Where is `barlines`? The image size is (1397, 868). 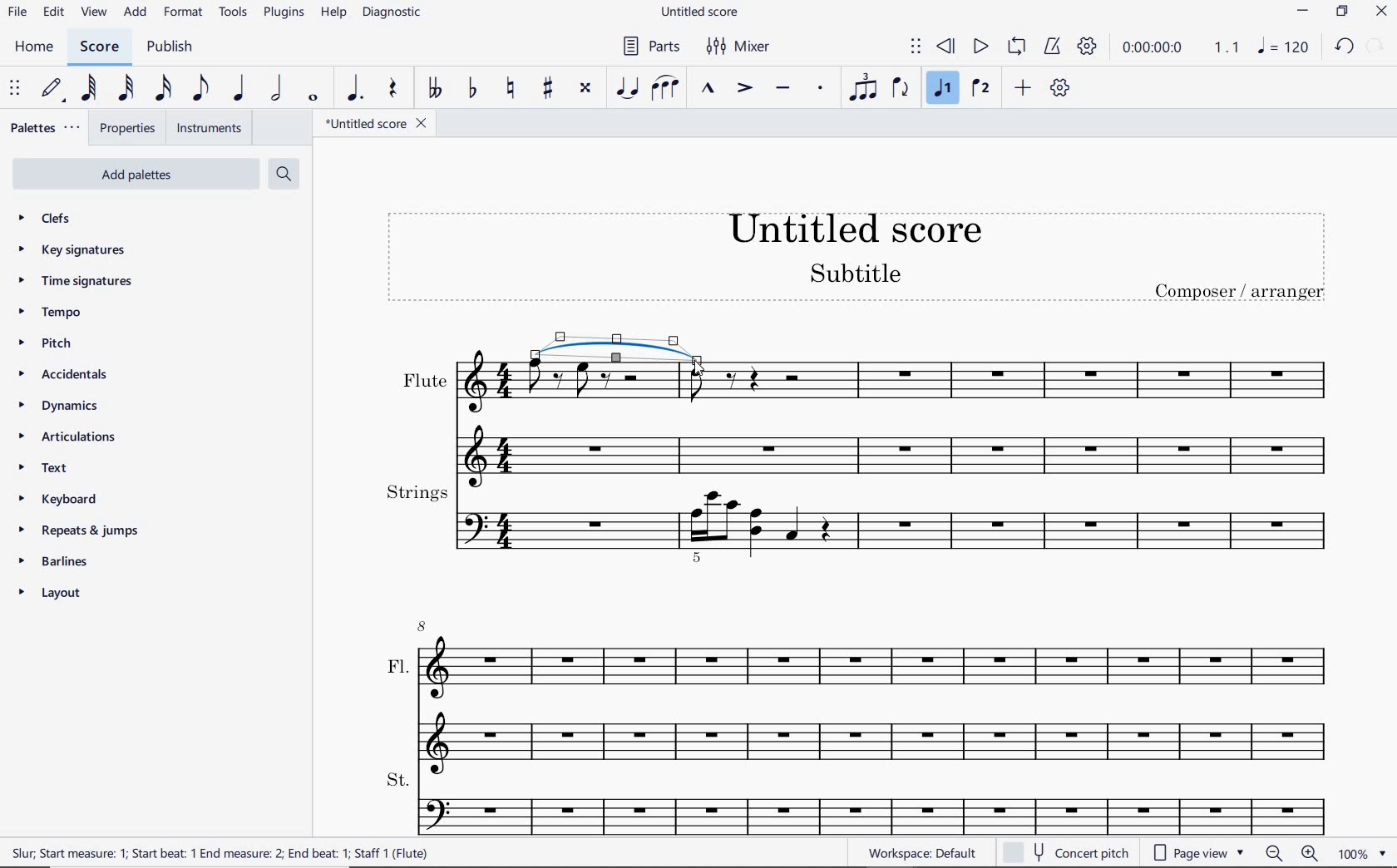 barlines is located at coordinates (62, 562).